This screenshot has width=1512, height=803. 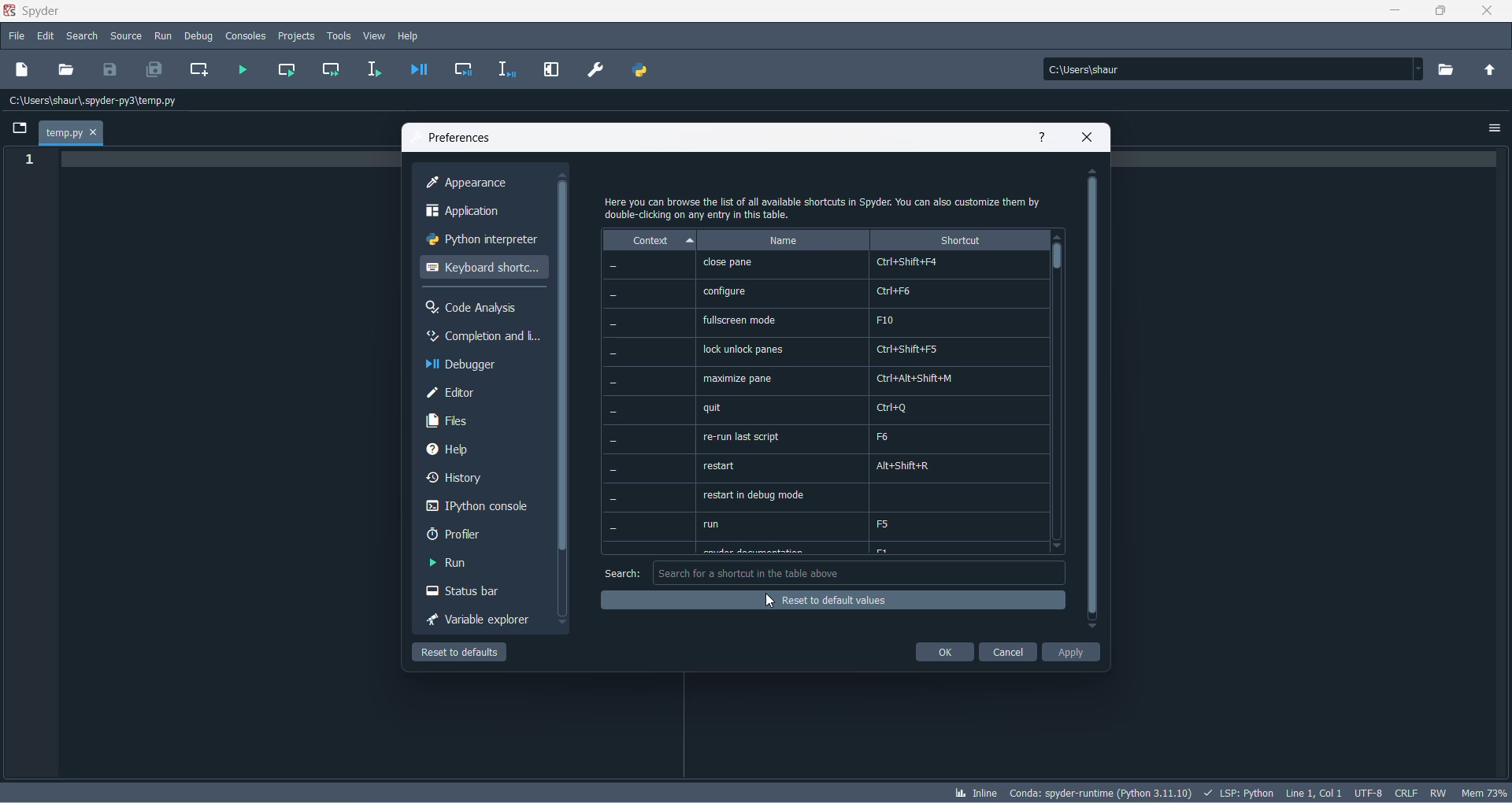 What do you see at coordinates (420, 71) in the screenshot?
I see `debug file` at bounding box center [420, 71].